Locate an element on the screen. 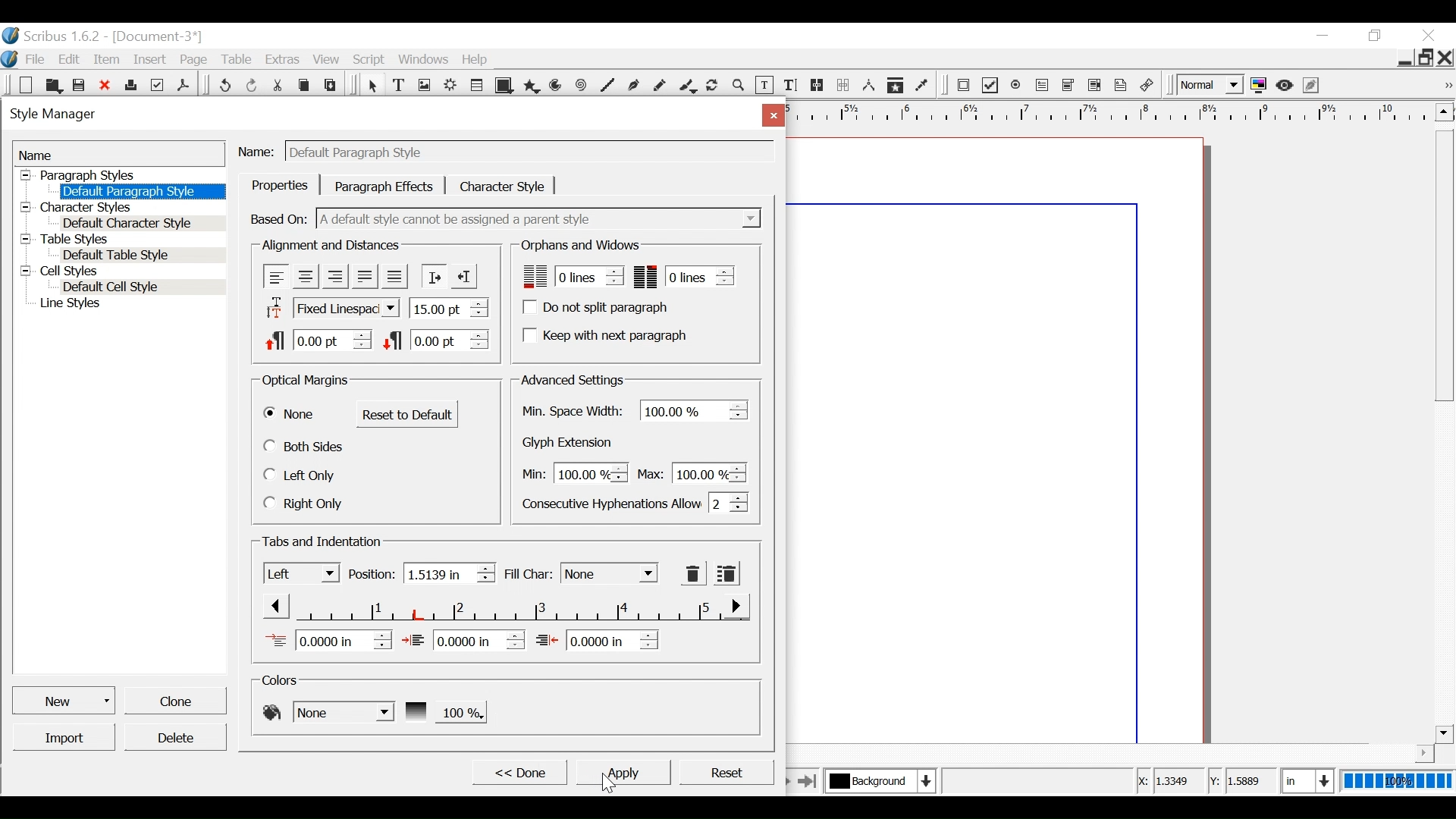 The image size is (1456, 819). link text frames is located at coordinates (817, 86).